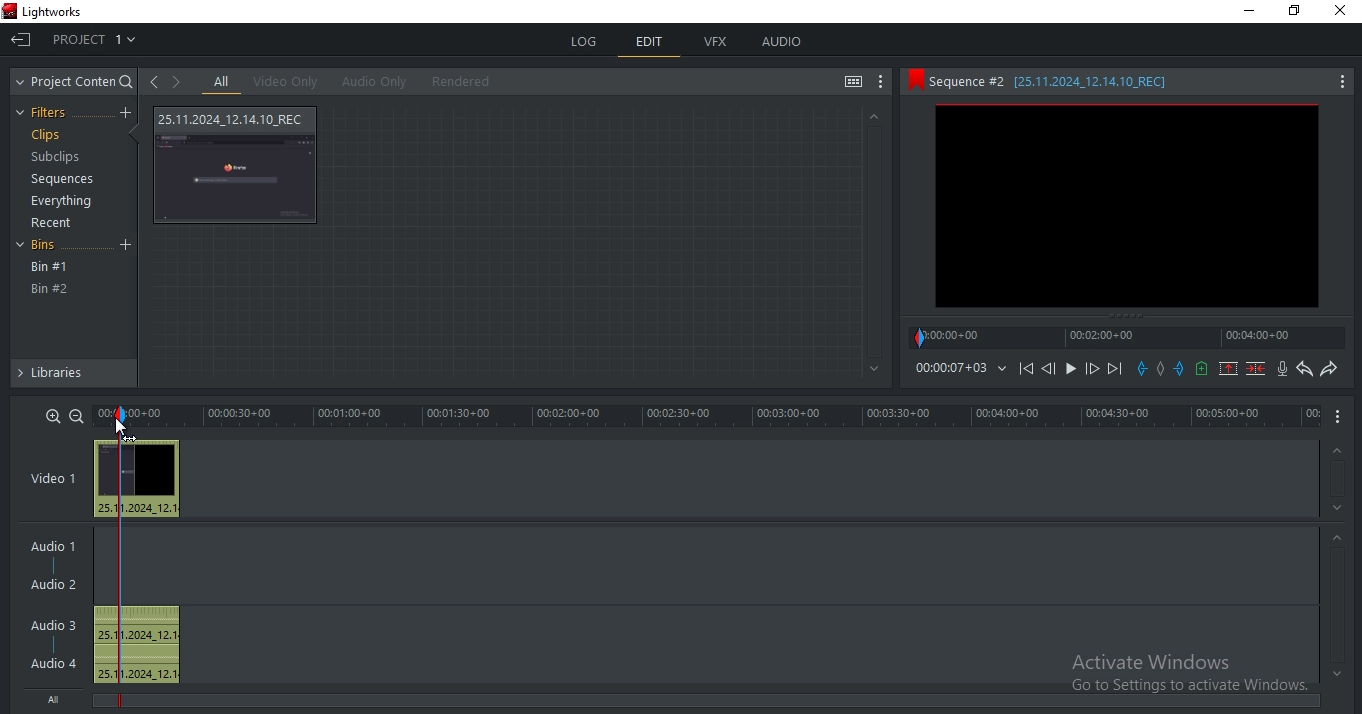 This screenshot has width=1362, height=714. I want to click on zoom in, so click(54, 415).